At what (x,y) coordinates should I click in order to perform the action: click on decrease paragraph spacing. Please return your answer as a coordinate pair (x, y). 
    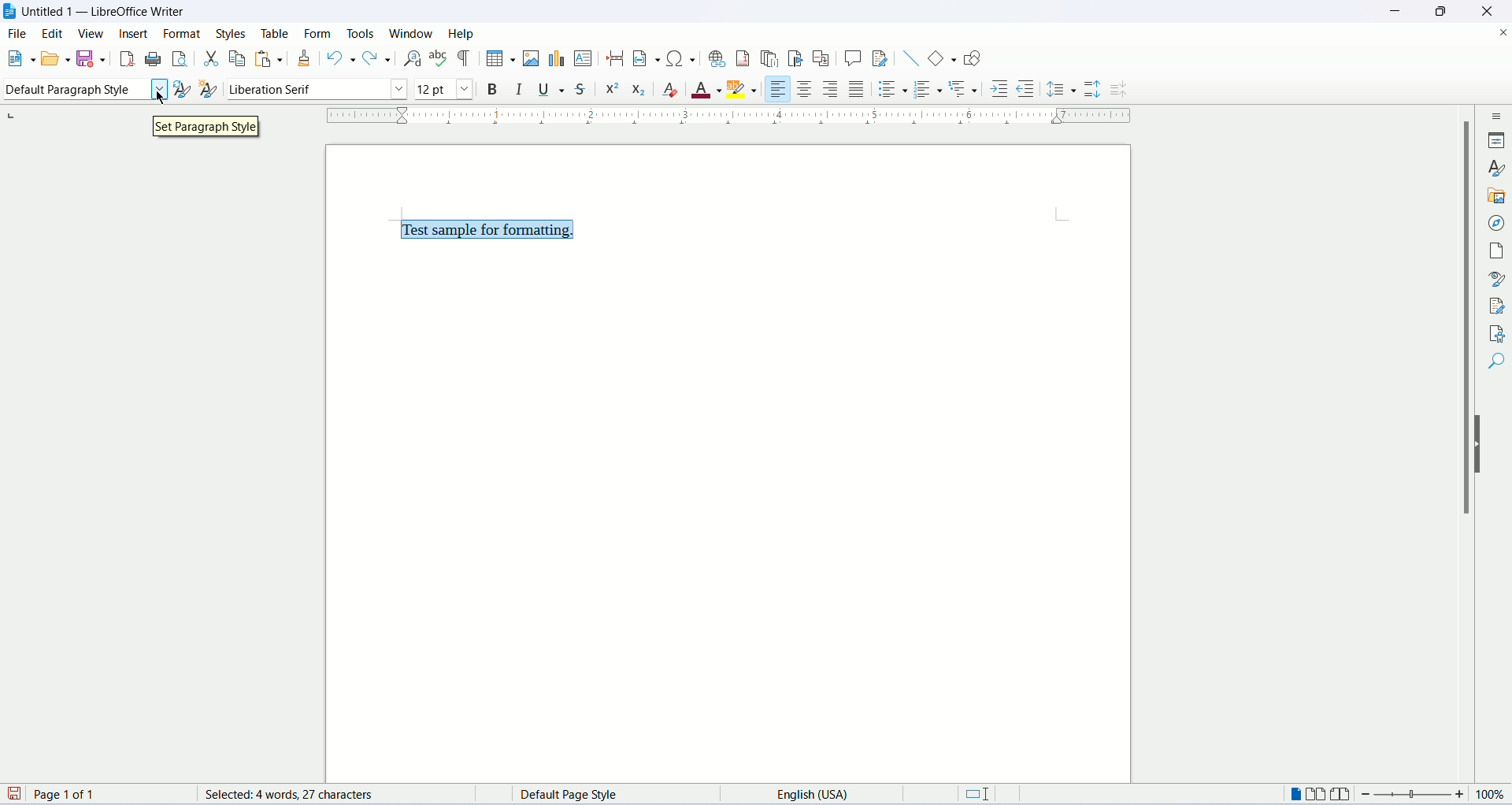
    Looking at the image, I should click on (1119, 91).